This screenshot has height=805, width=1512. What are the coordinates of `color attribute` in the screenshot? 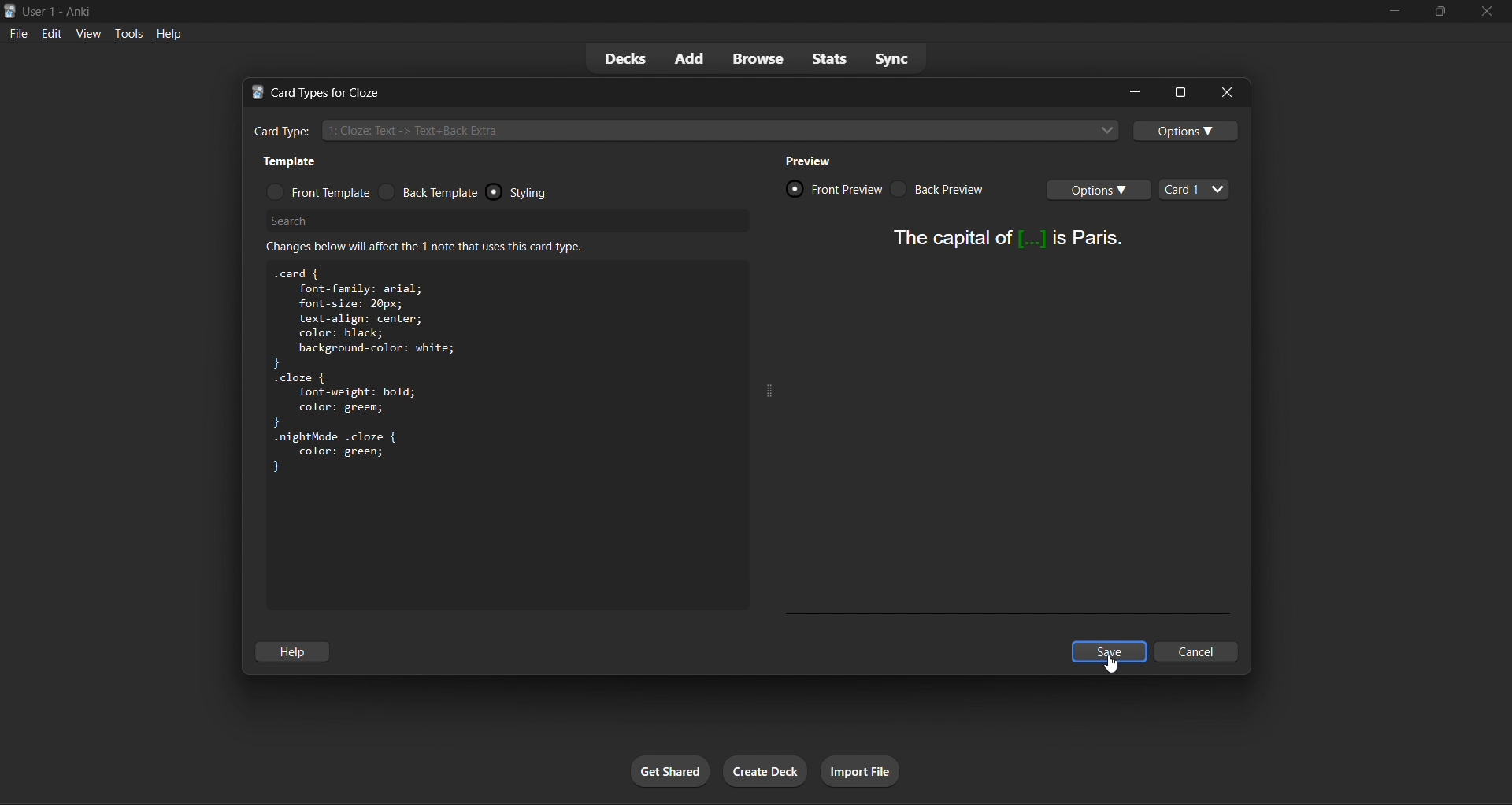 It's located at (348, 452).